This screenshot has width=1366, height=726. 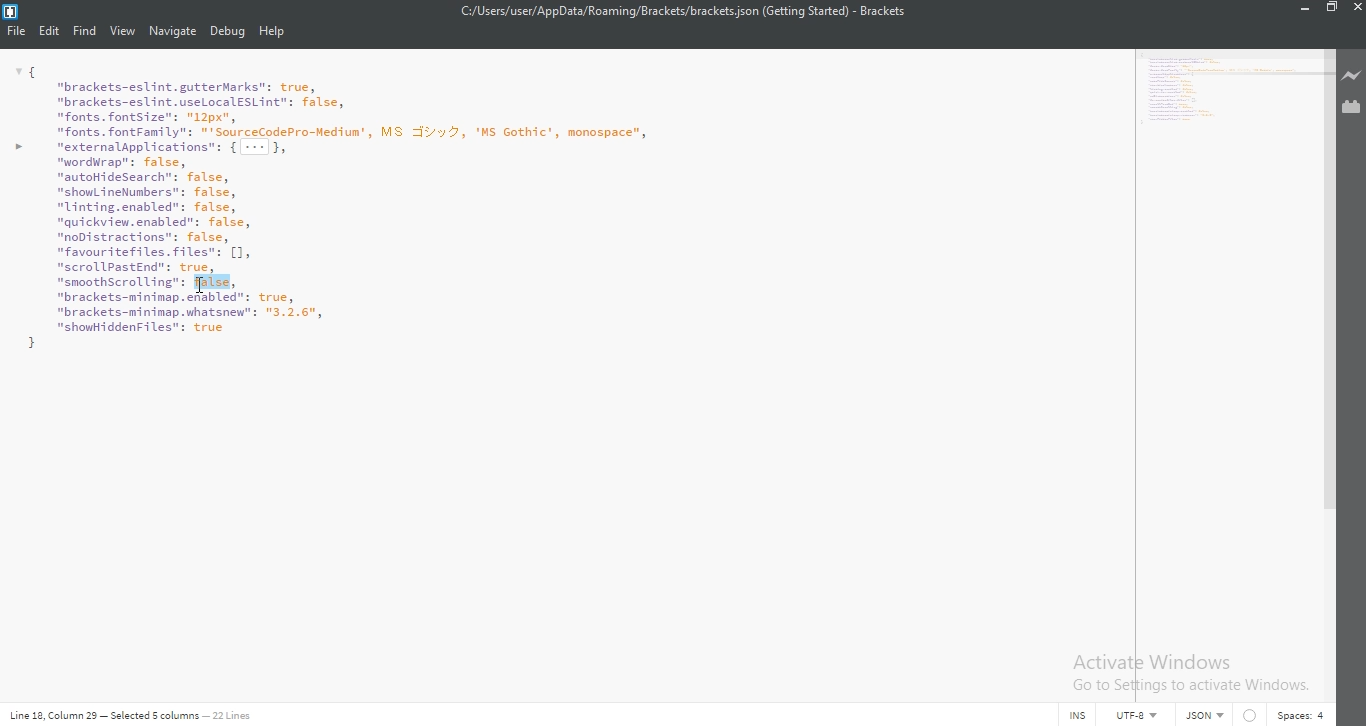 What do you see at coordinates (201, 285) in the screenshot?
I see `Insertion cursor` at bounding box center [201, 285].